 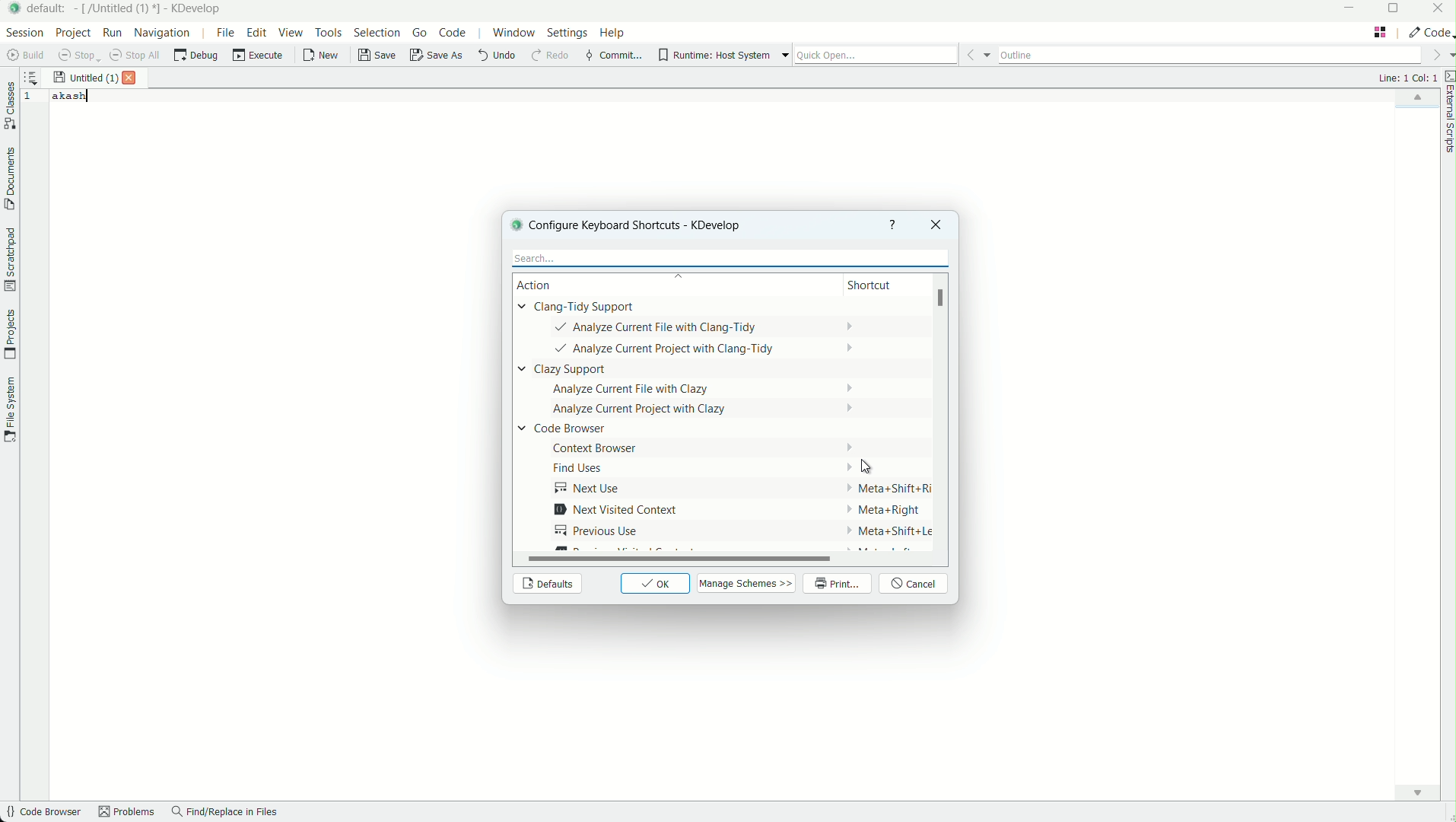 What do you see at coordinates (934, 225) in the screenshot?
I see `close window` at bounding box center [934, 225].